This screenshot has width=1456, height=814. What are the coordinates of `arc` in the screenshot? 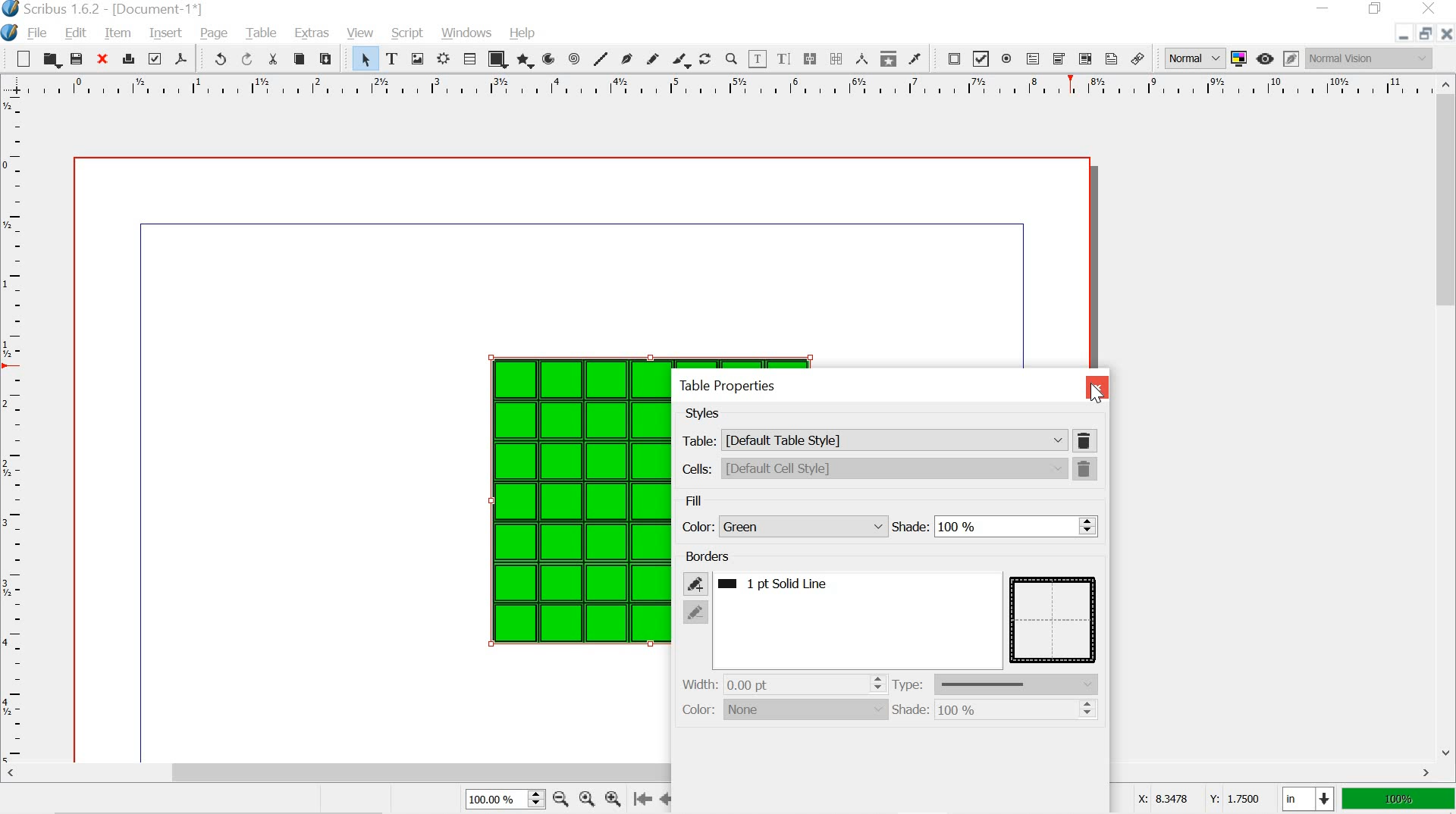 It's located at (547, 58).